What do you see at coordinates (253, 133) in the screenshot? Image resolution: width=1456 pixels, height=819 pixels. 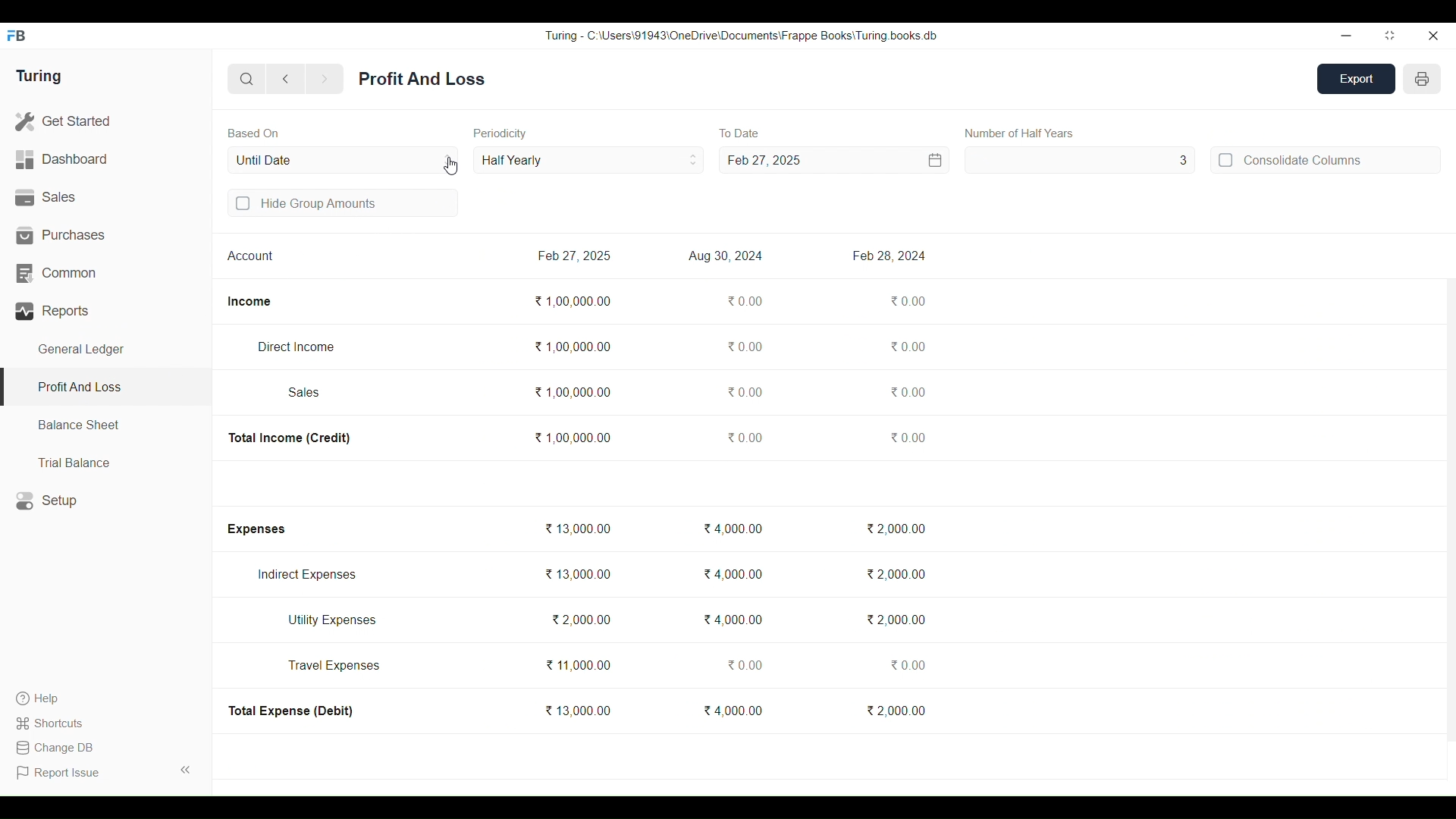 I see `Based On` at bounding box center [253, 133].